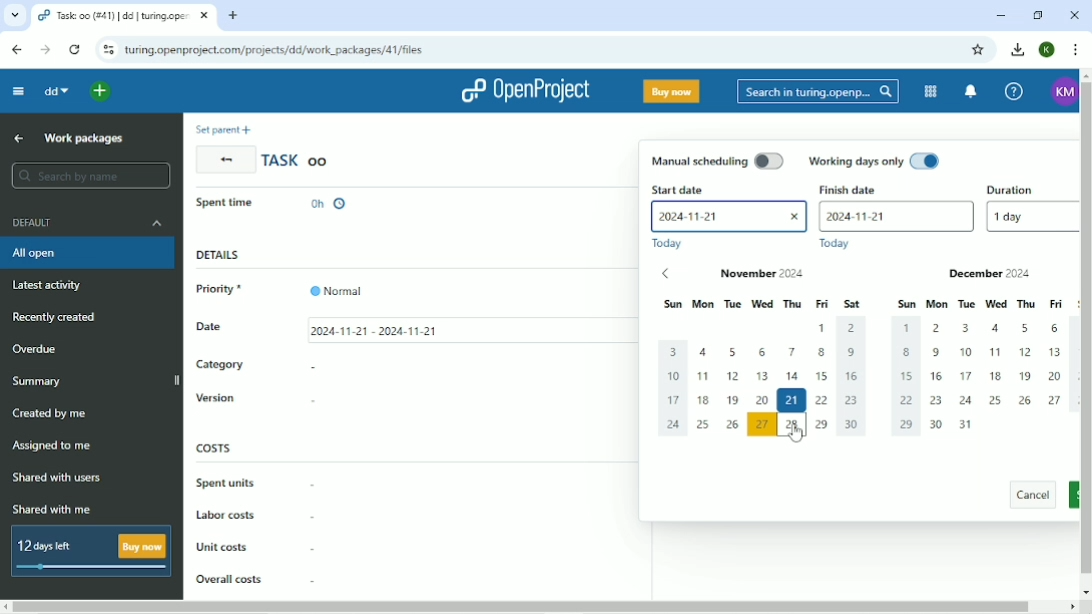 Image resolution: width=1092 pixels, height=614 pixels. Describe the element at coordinates (53, 509) in the screenshot. I see `Shared with me` at that location.